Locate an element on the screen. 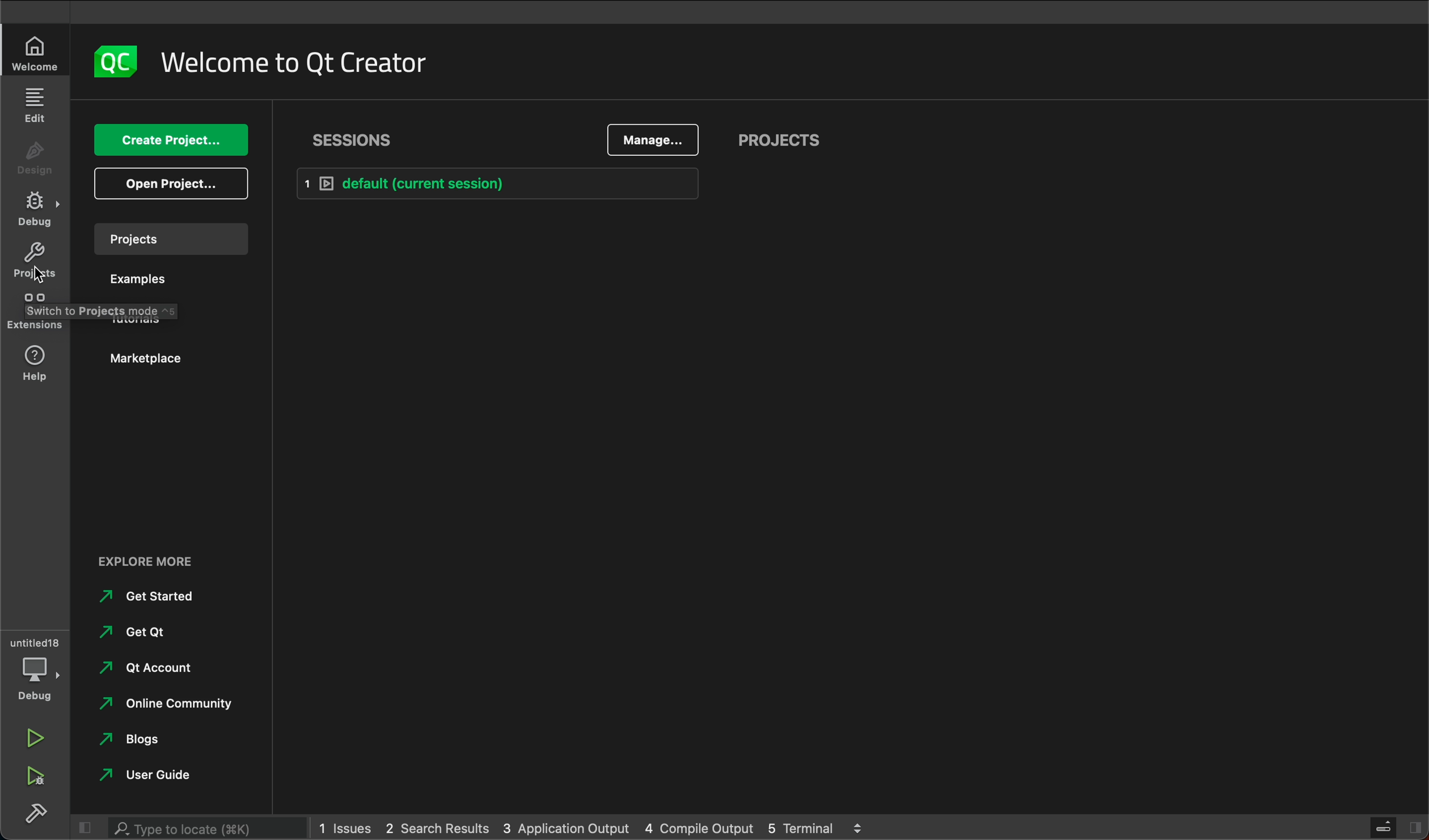  2 Search Results is located at coordinates (437, 827).